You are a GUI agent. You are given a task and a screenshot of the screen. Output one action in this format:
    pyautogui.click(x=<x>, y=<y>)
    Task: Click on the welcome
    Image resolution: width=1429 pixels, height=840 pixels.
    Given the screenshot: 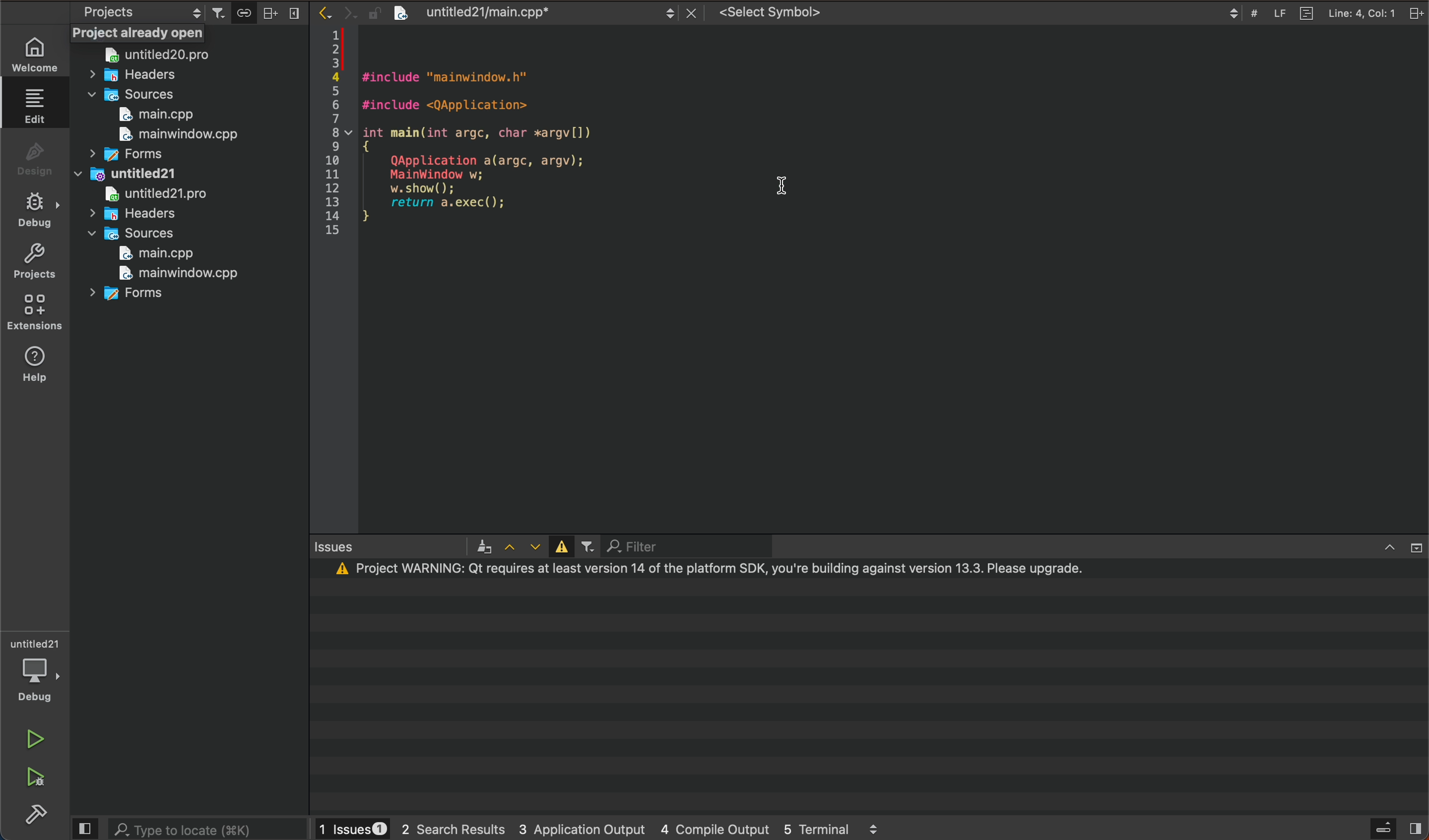 What is the action you would take?
    pyautogui.click(x=36, y=56)
    